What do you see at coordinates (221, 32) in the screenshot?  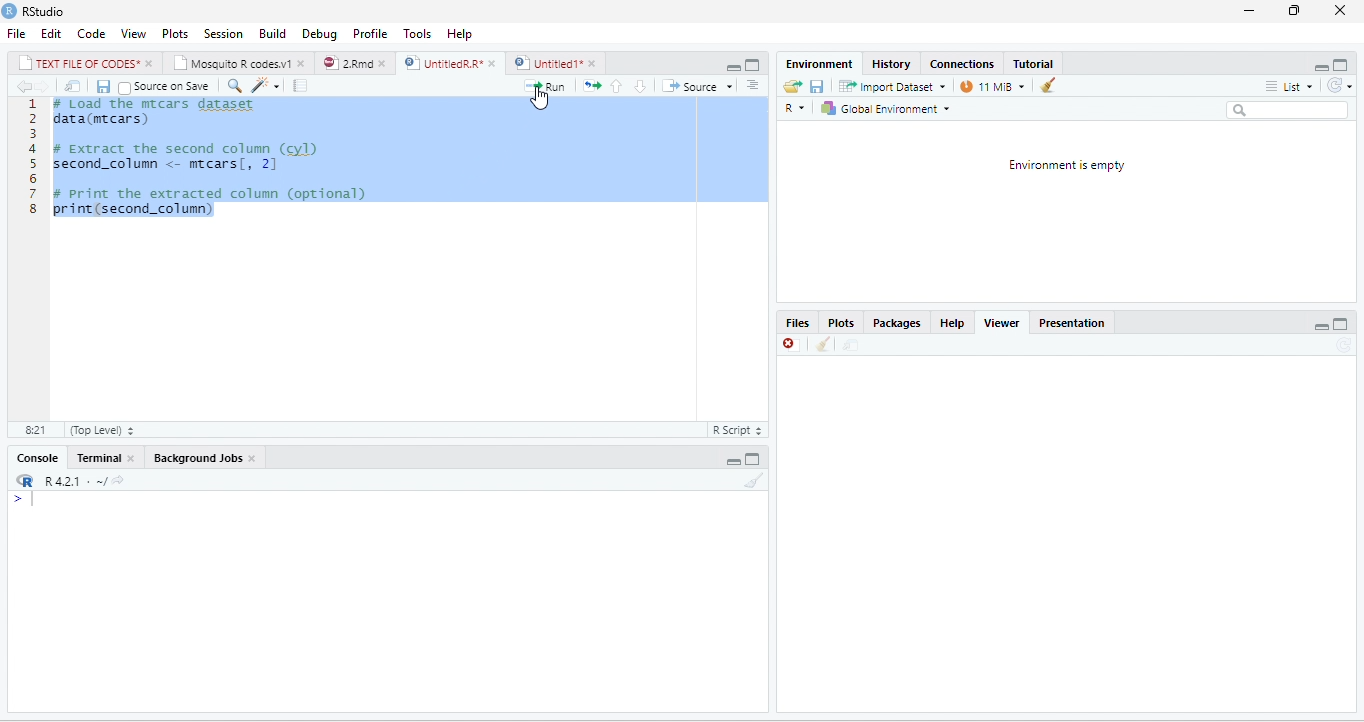 I see `Session` at bounding box center [221, 32].